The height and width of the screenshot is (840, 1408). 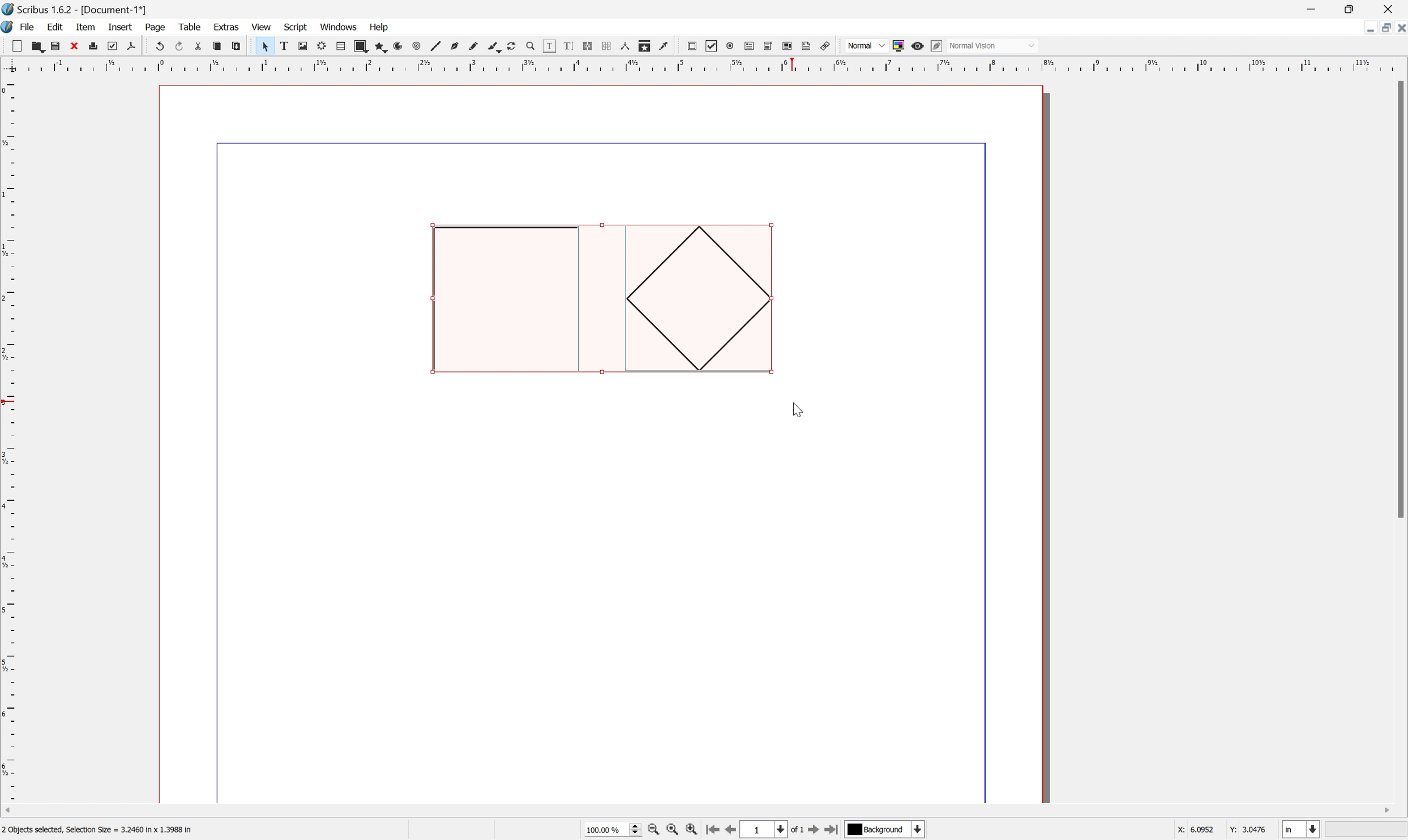 I want to click on pdf push button, so click(x=691, y=46).